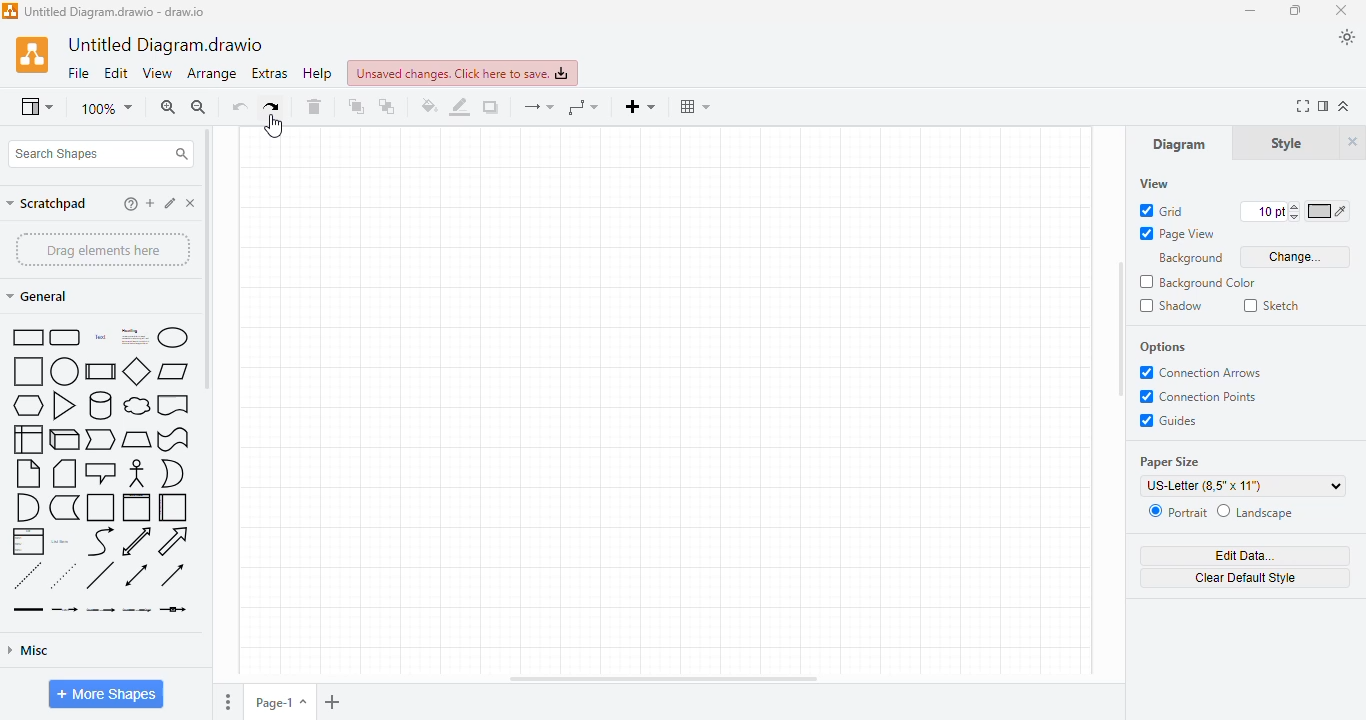  Describe the element at coordinates (191, 203) in the screenshot. I see `delete` at that location.